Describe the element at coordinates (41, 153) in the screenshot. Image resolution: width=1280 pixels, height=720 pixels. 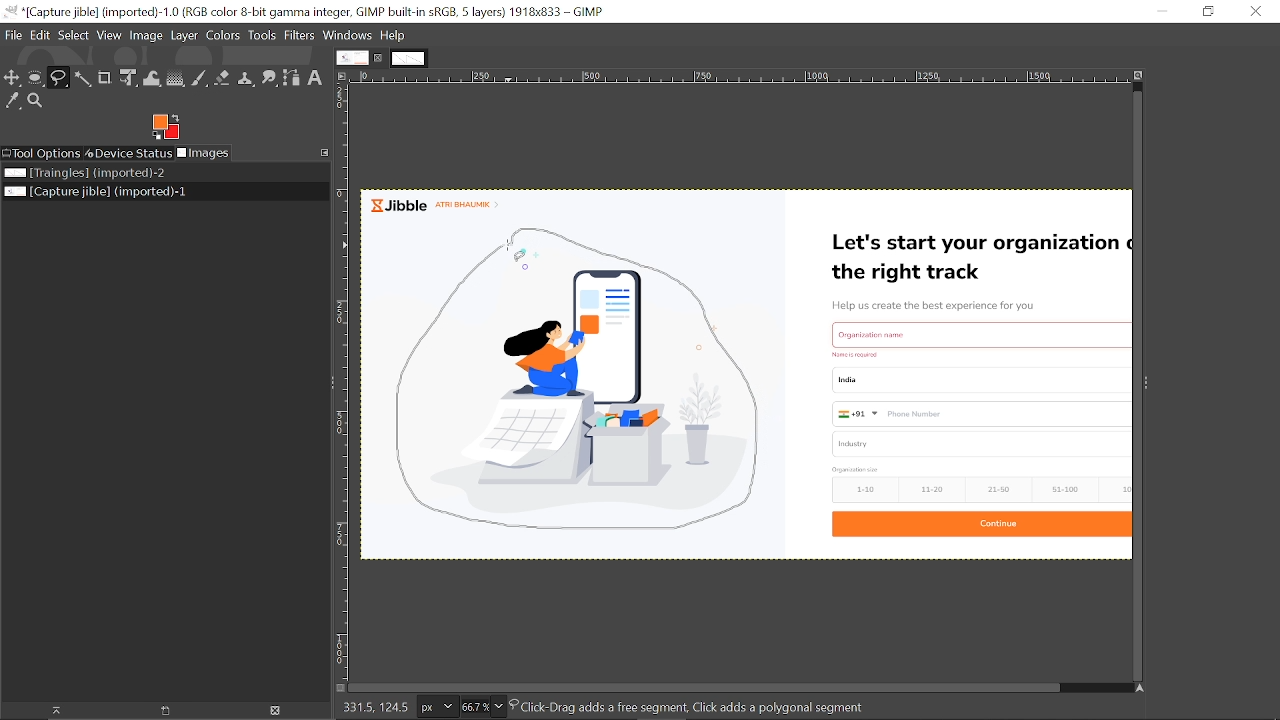
I see `Tool options` at that location.